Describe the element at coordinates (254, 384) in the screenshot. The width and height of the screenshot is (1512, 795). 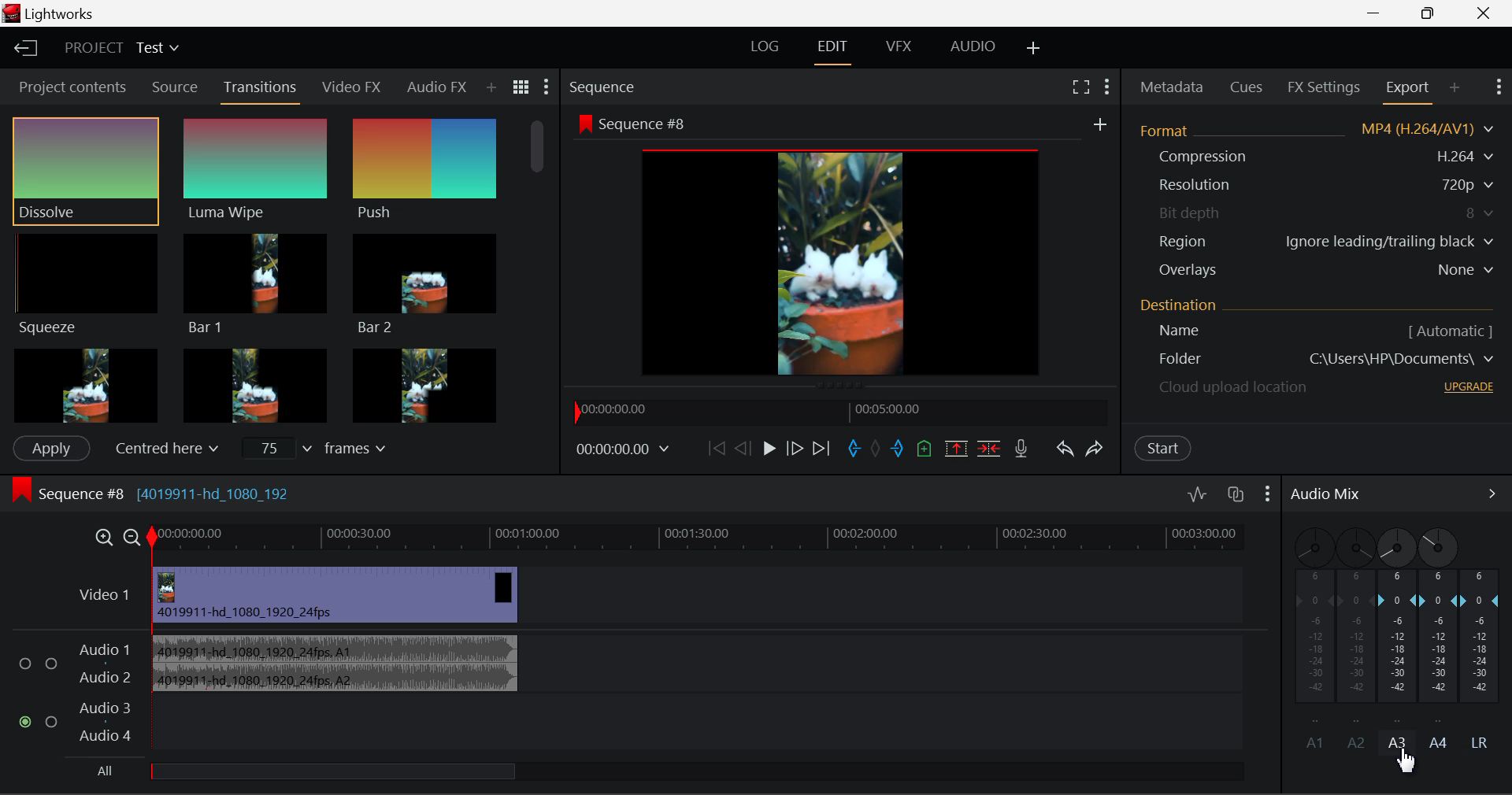
I see `Box 2` at that location.